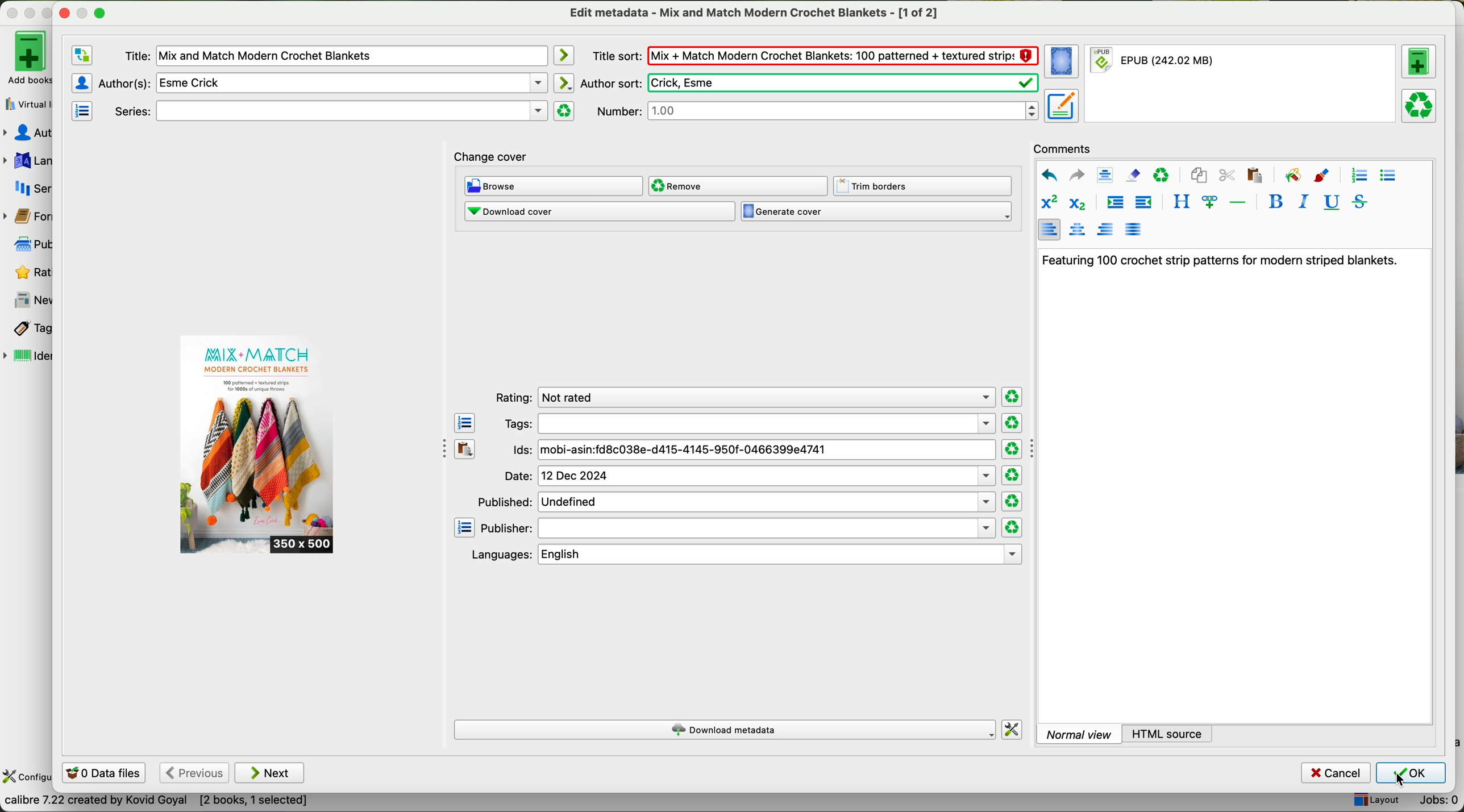  Describe the element at coordinates (439, 447) in the screenshot. I see `three dots` at that location.